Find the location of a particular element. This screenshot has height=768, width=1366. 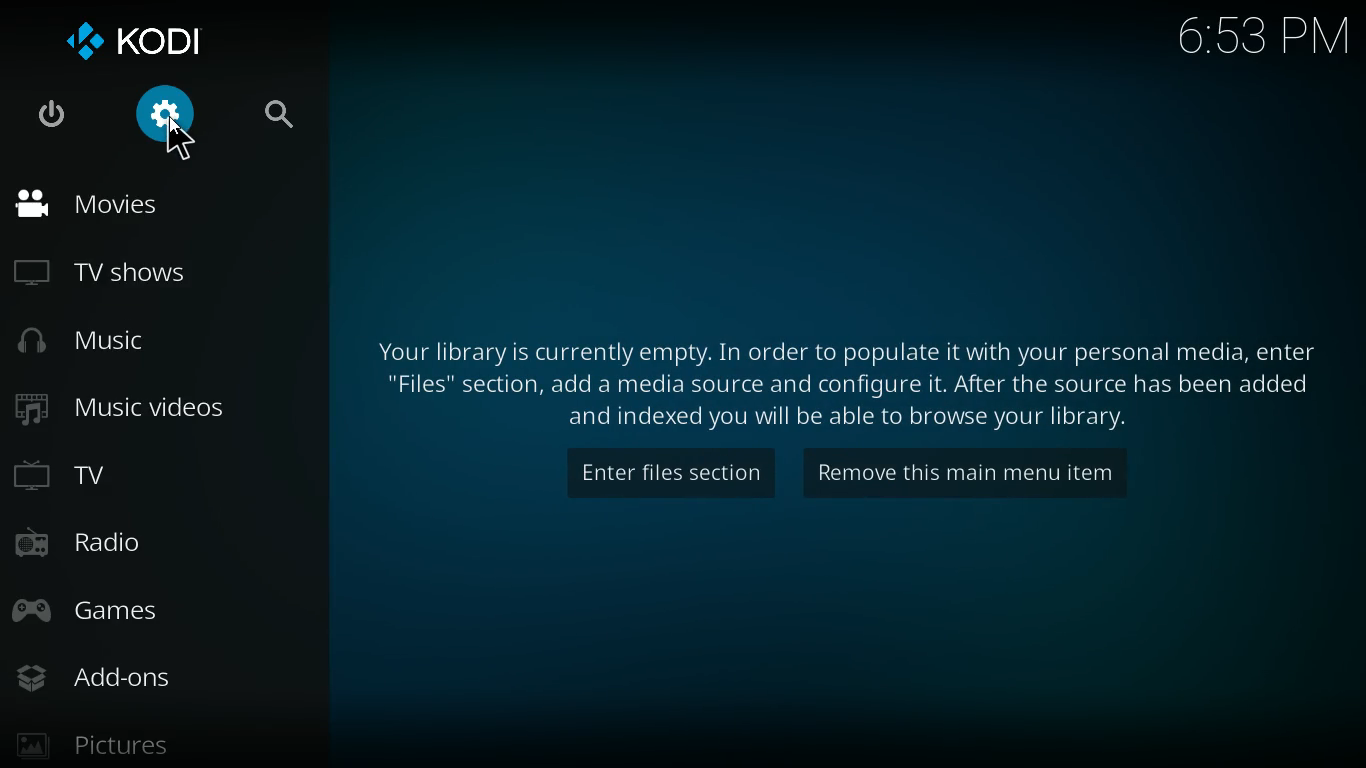

text is located at coordinates (849, 373).